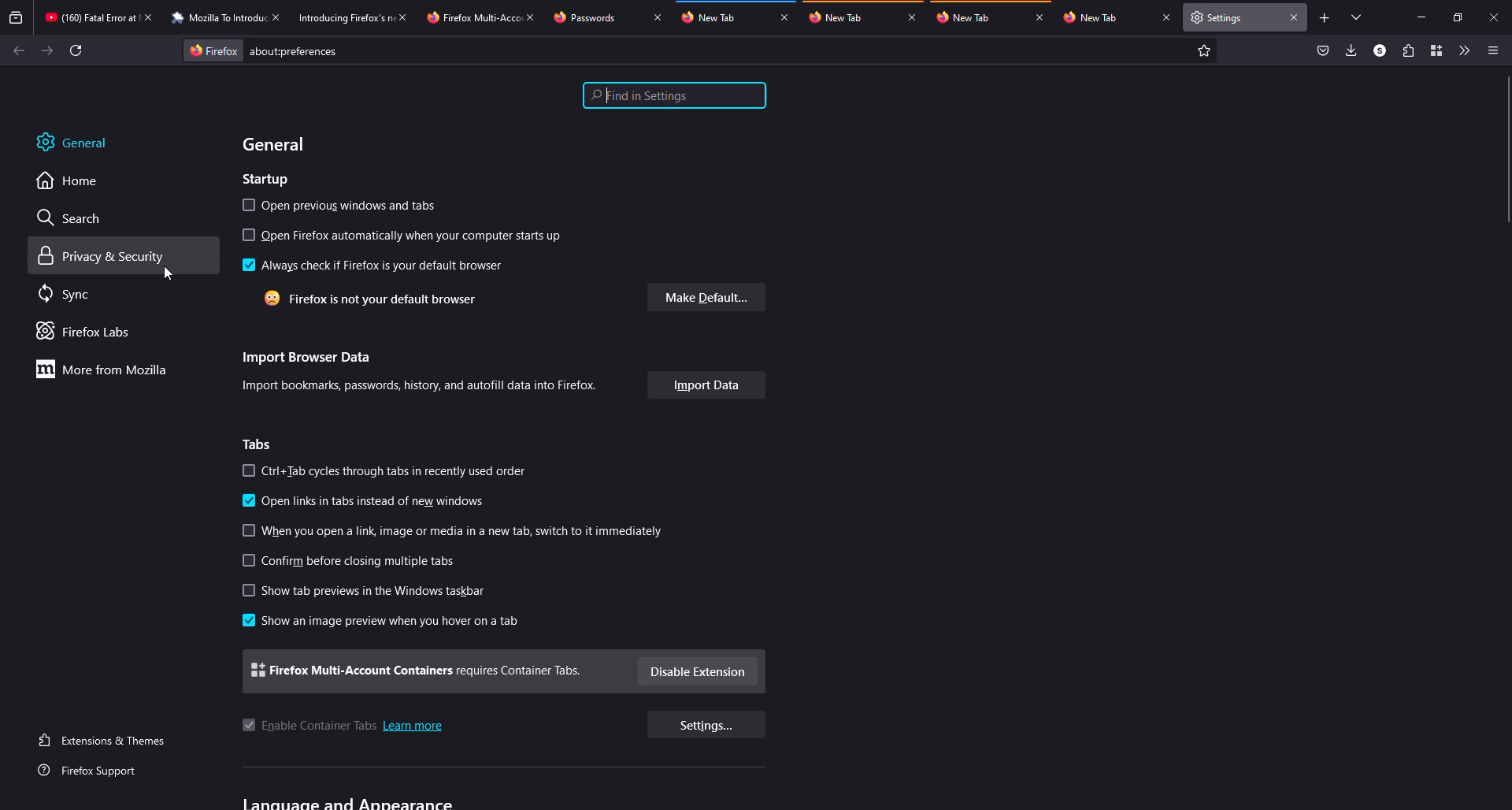 This screenshot has width=1512, height=810. What do you see at coordinates (1495, 17) in the screenshot?
I see `close` at bounding box center [1495, 17].